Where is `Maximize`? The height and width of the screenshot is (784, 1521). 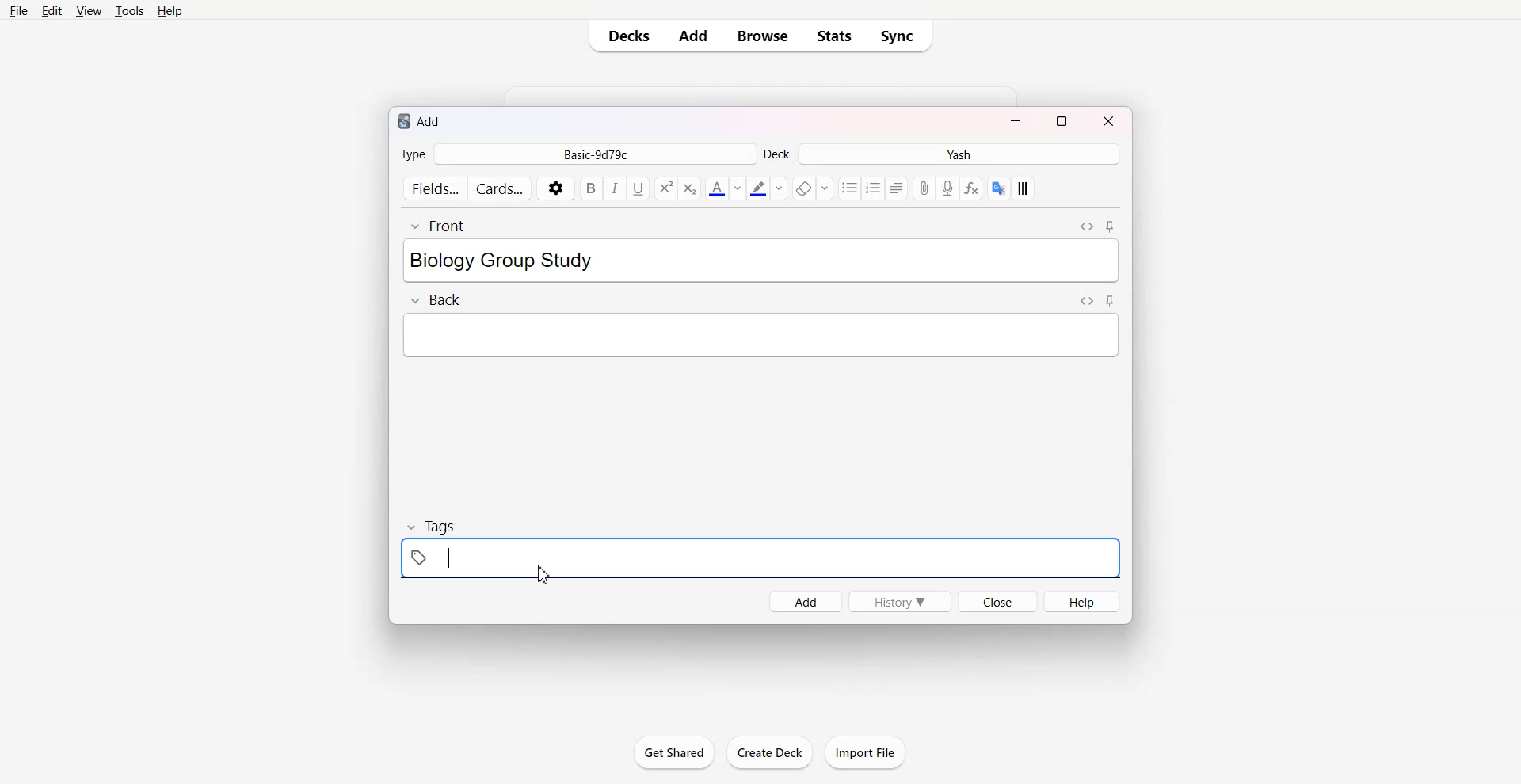 Maximize is located at coordinates (1062, 120).